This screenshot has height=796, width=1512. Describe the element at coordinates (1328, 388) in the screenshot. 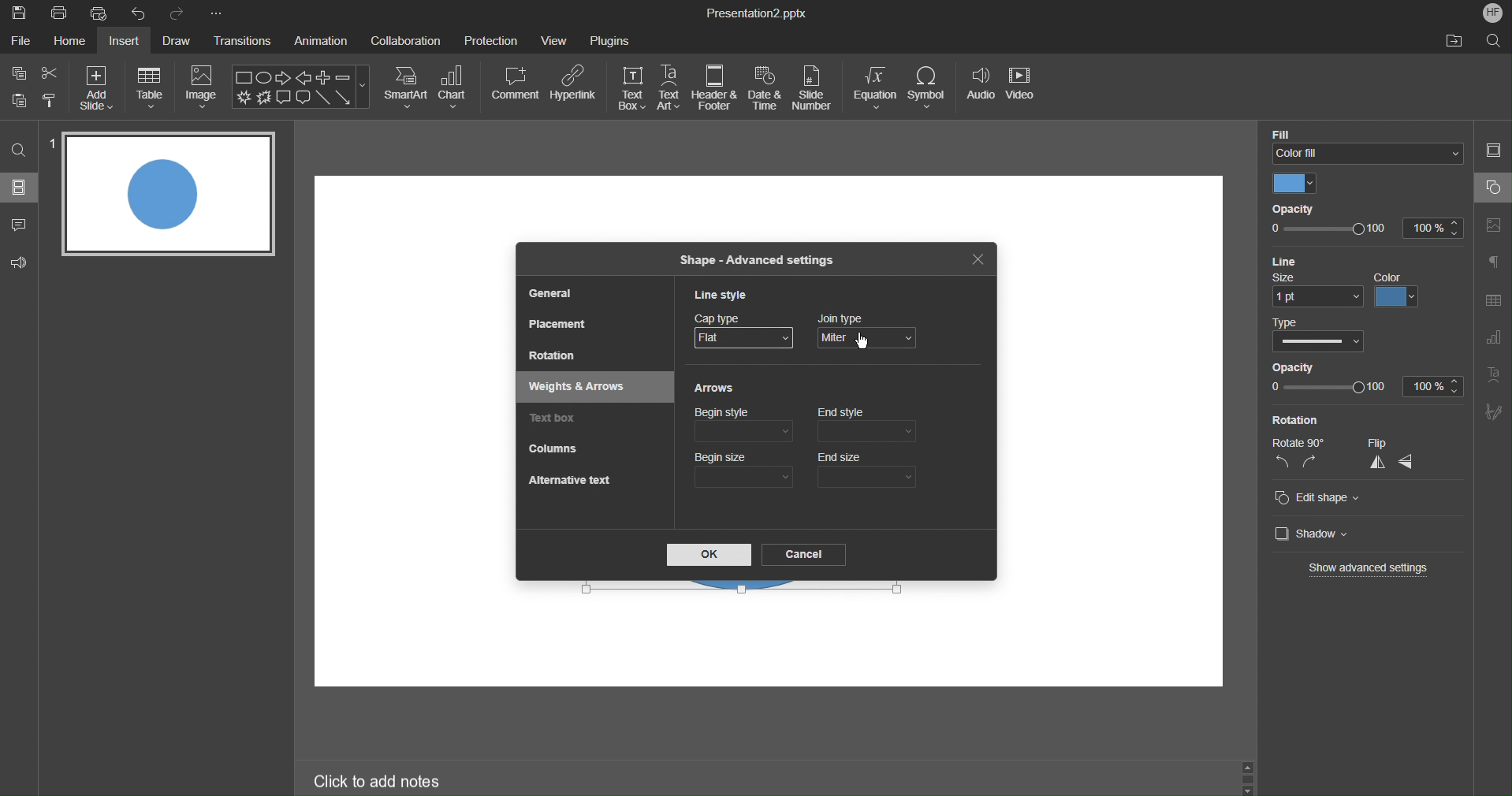

I see `opacity slider` at that location.